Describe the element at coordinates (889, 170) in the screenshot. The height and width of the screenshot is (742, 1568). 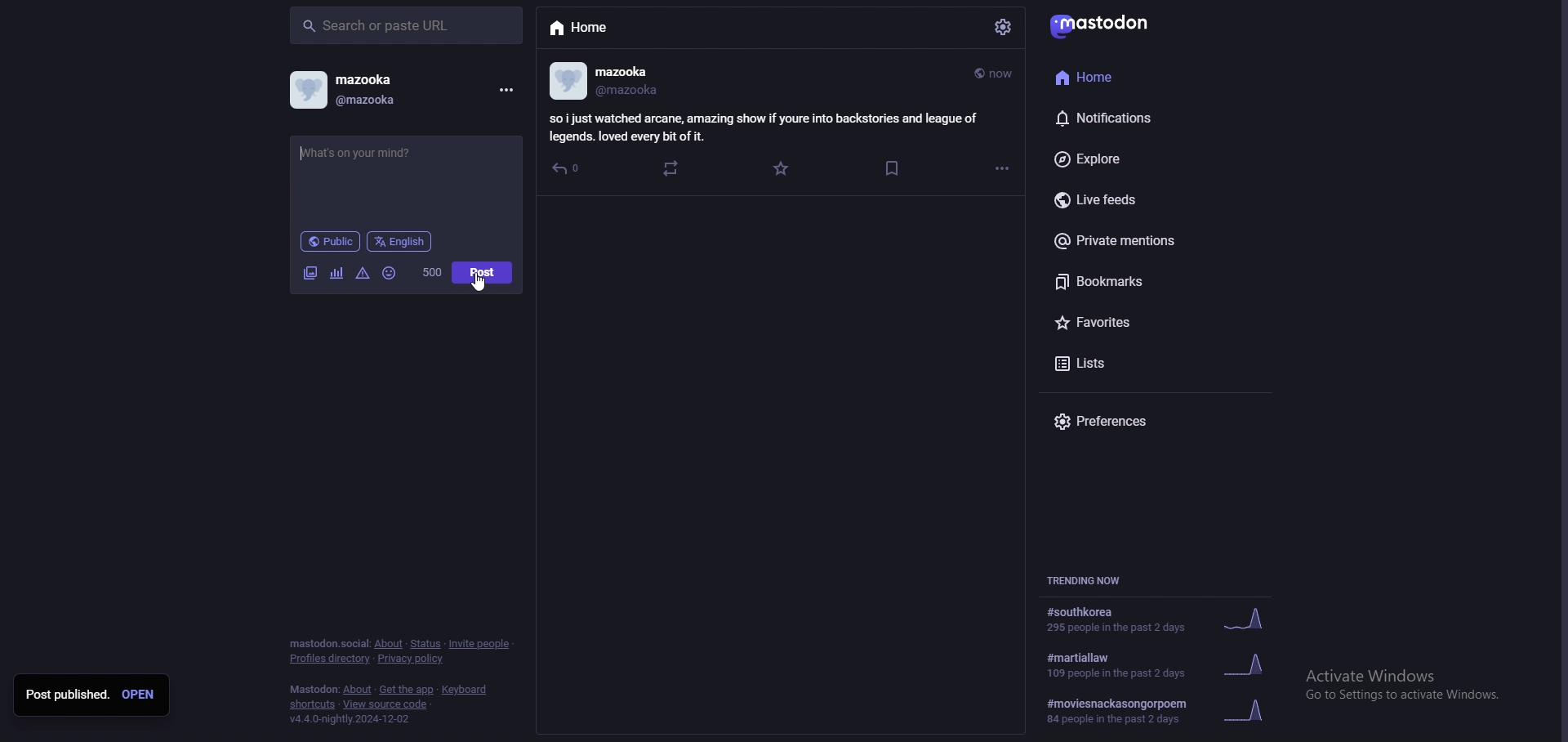
I see `bookmarks` at that location.